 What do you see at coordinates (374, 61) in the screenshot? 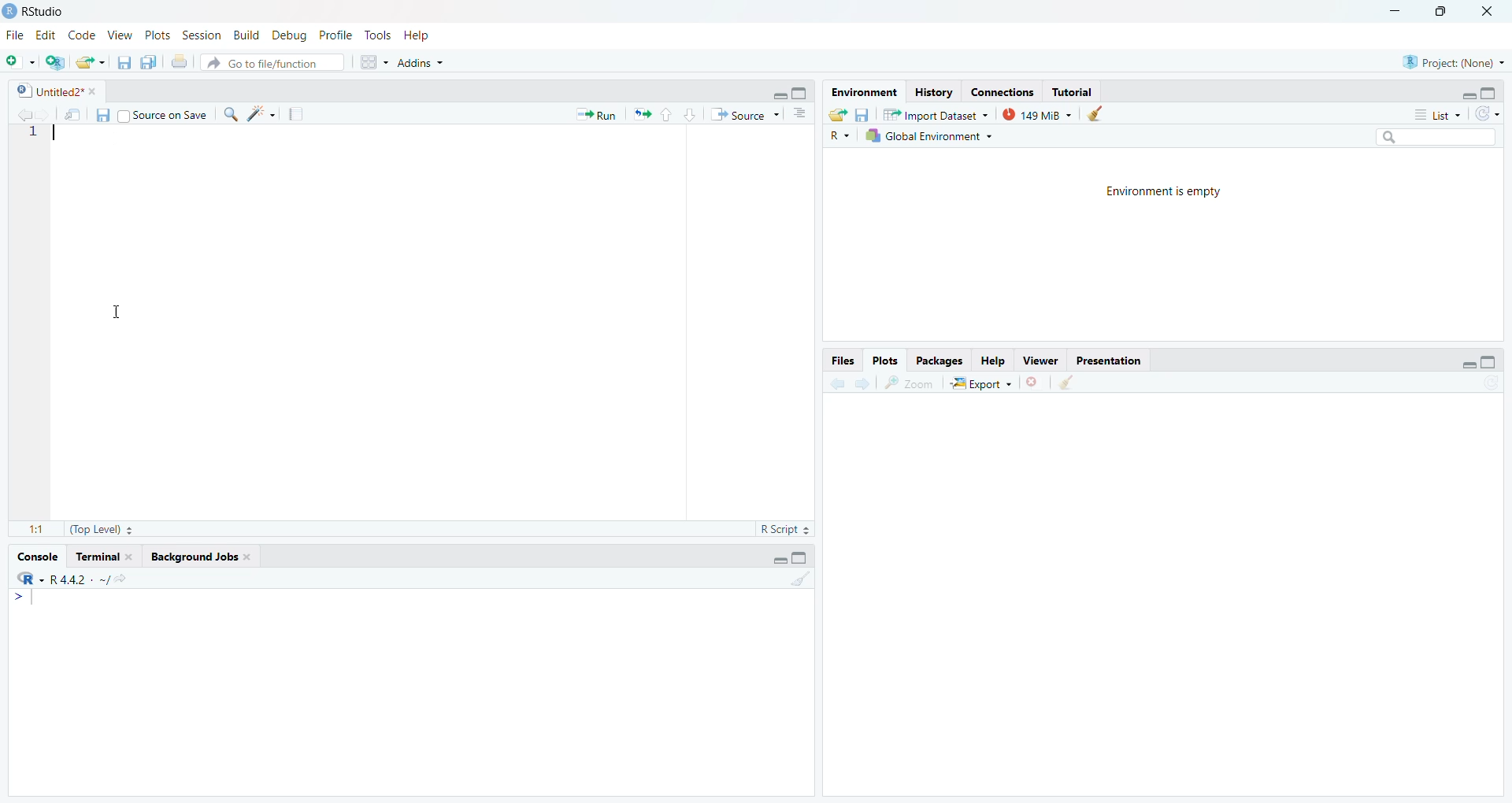
I see `Workspace panes` at bounding box center [374, 61].